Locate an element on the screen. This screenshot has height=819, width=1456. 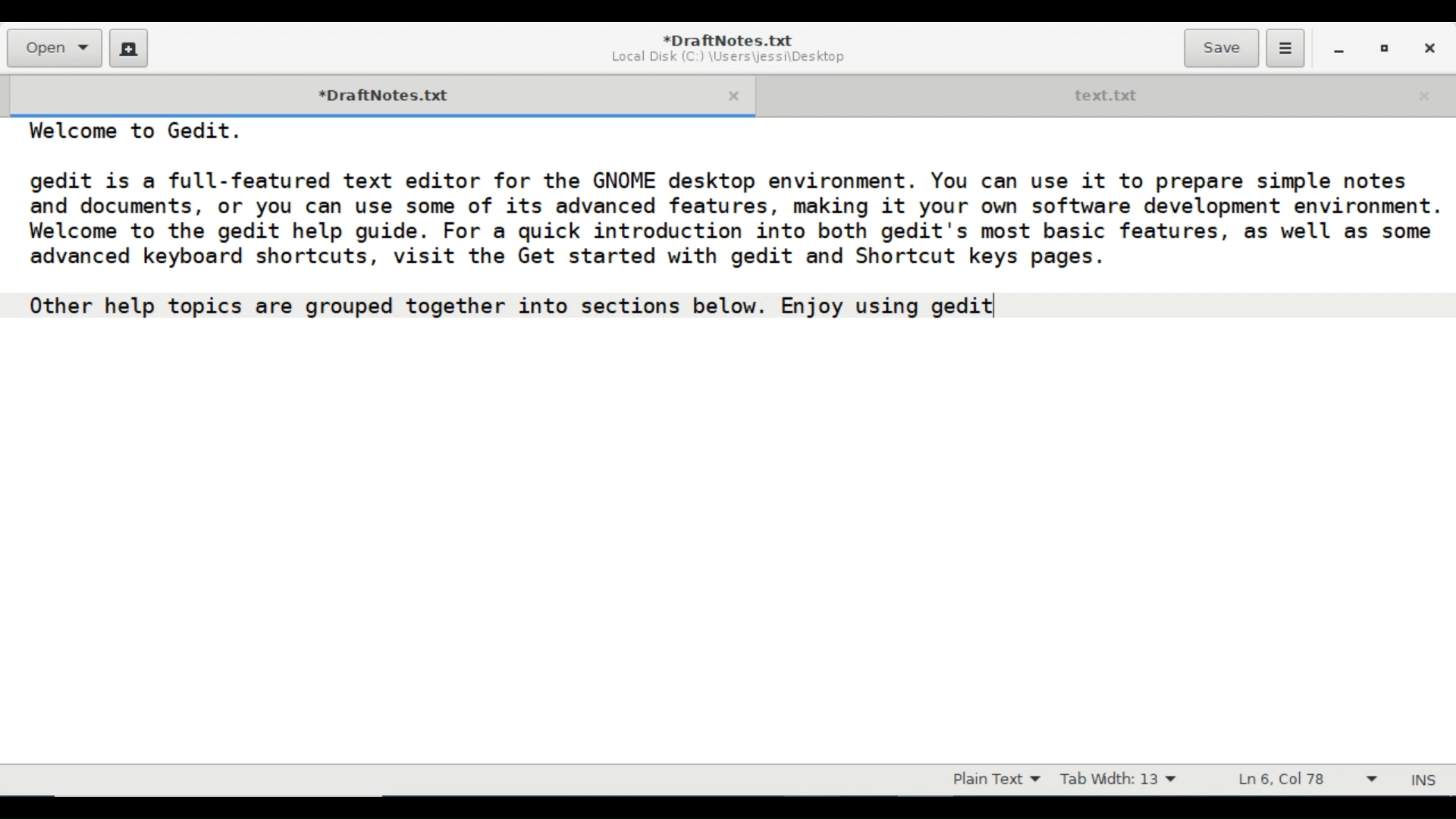
Welcome to Gedit. is located at coordinates (134, 132).